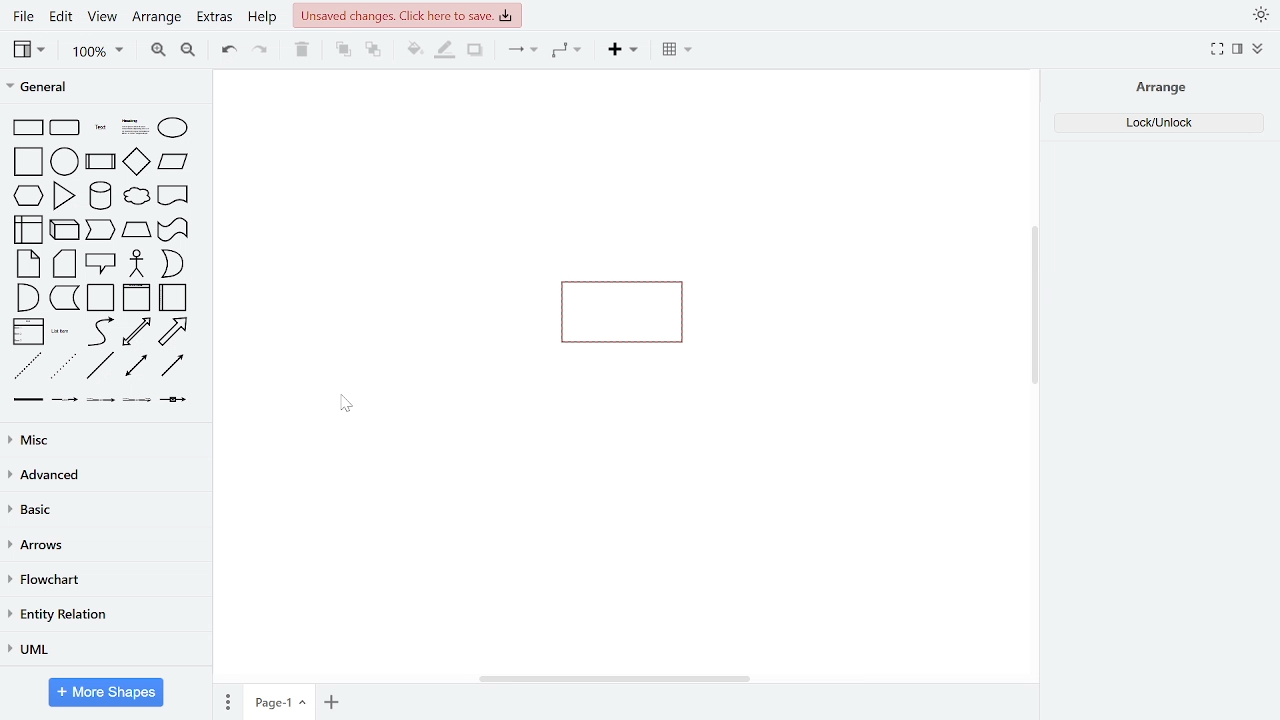 Image resolution: width=1280 pixels, height=720 pixels. Describe the element at coordinates (106, 652) in the screenshot. I see `UML` at that location.